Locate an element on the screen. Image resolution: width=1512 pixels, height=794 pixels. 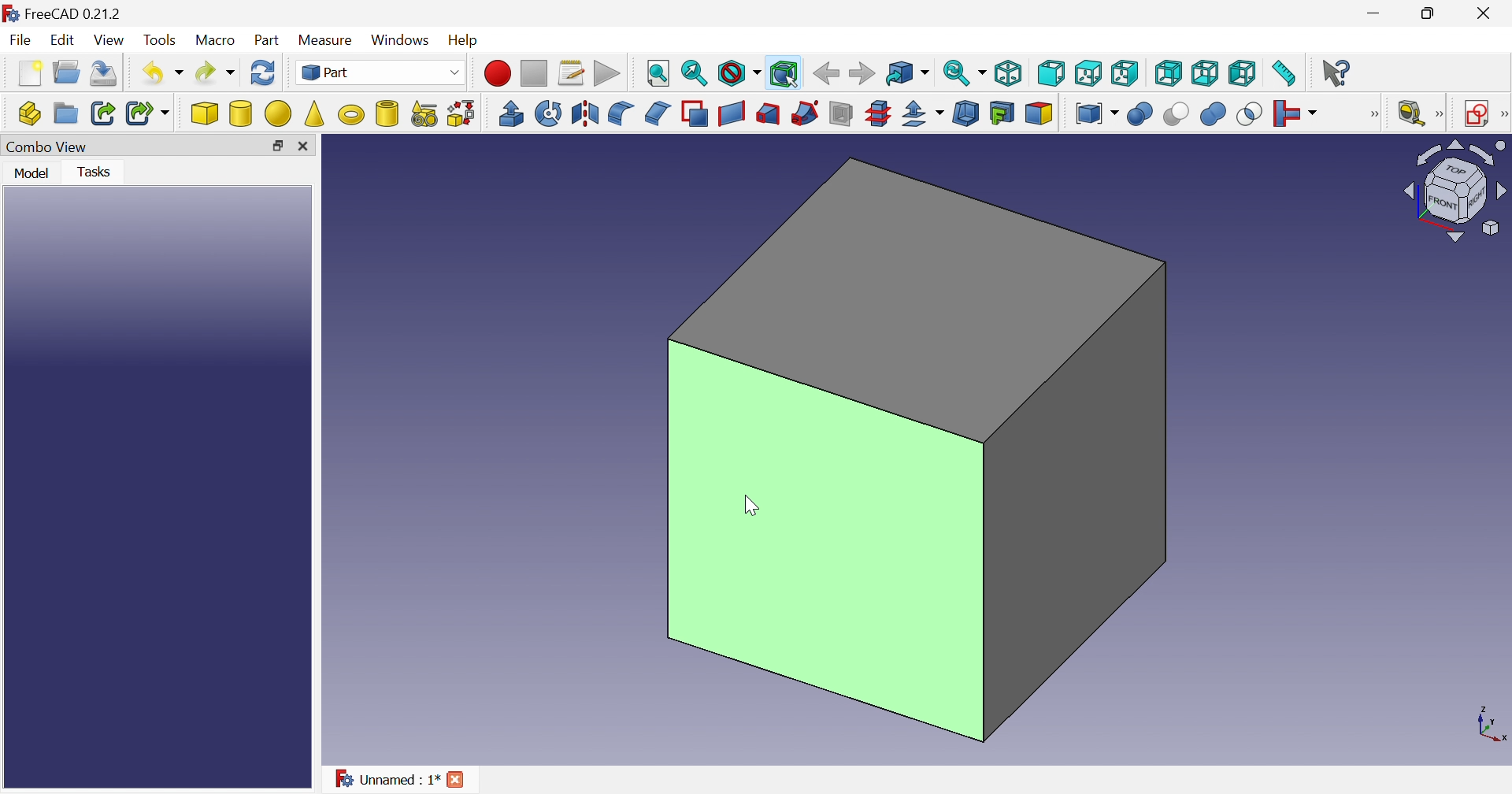
Cube is located at coordinates (920, 449).